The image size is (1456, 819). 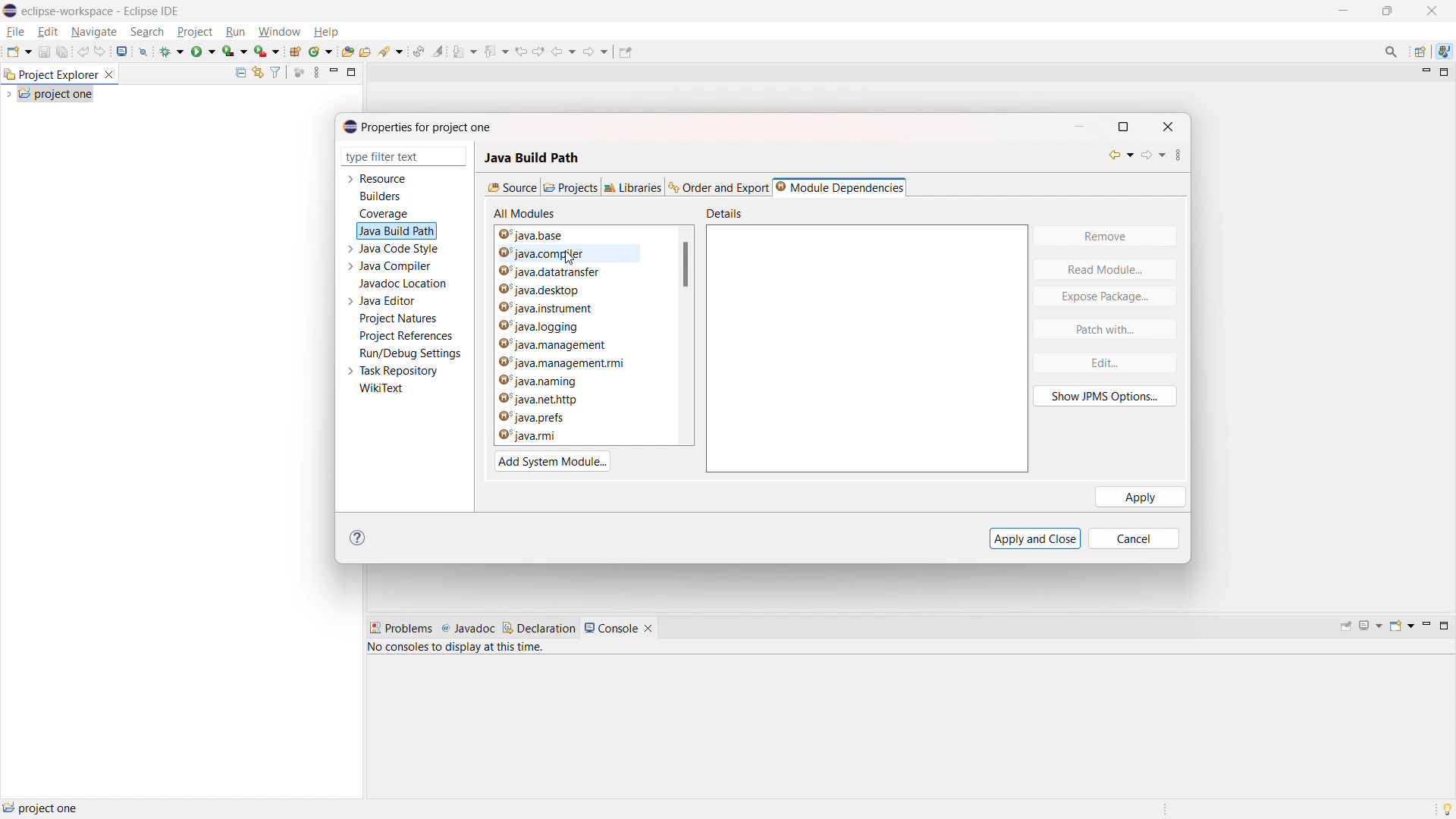 What do you see at coordinates (570, 187) in the screenshot?
I see `projects` at bounding box center [570, 187].